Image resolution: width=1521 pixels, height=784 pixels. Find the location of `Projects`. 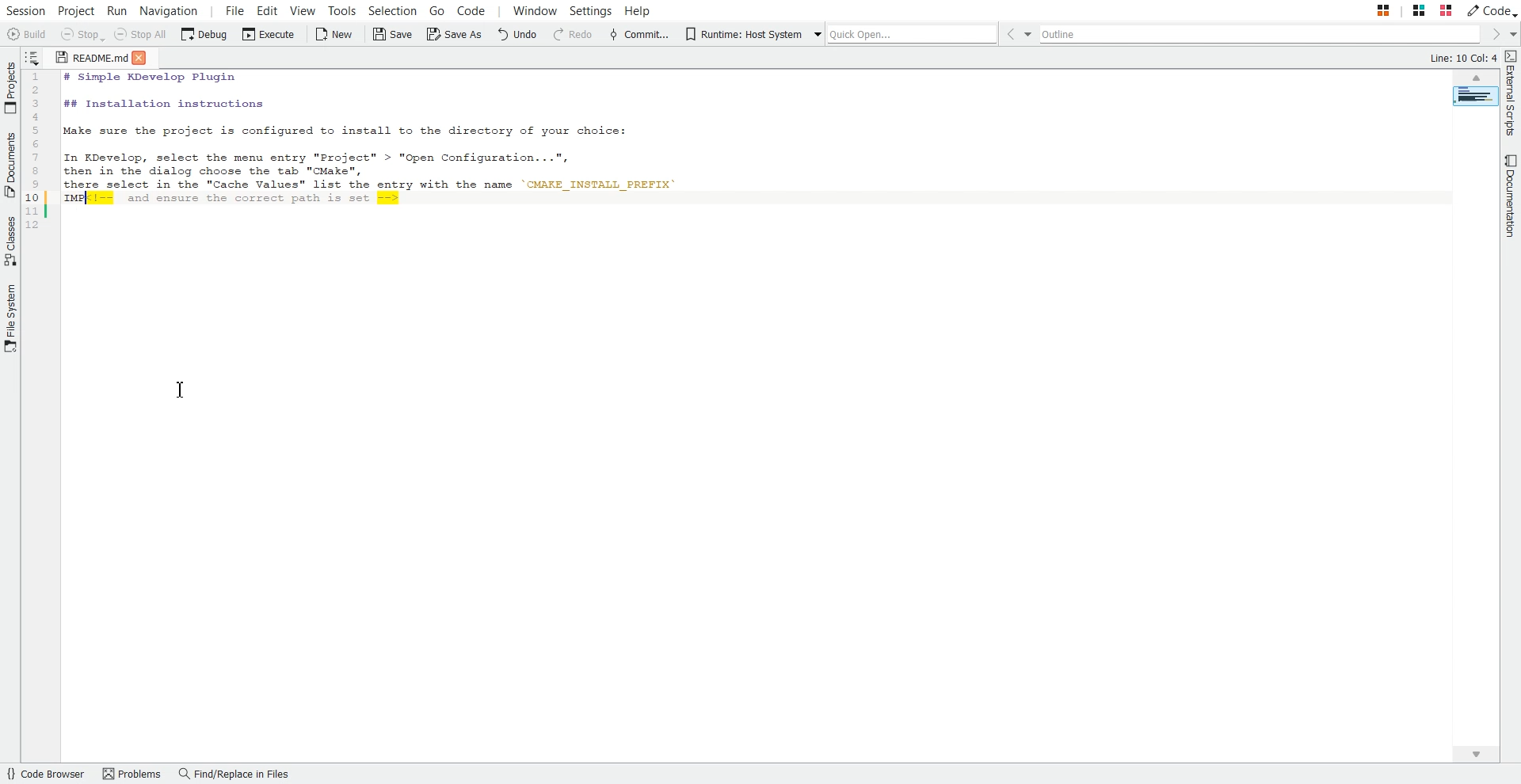

Projects is located at coordinates (10, 88).